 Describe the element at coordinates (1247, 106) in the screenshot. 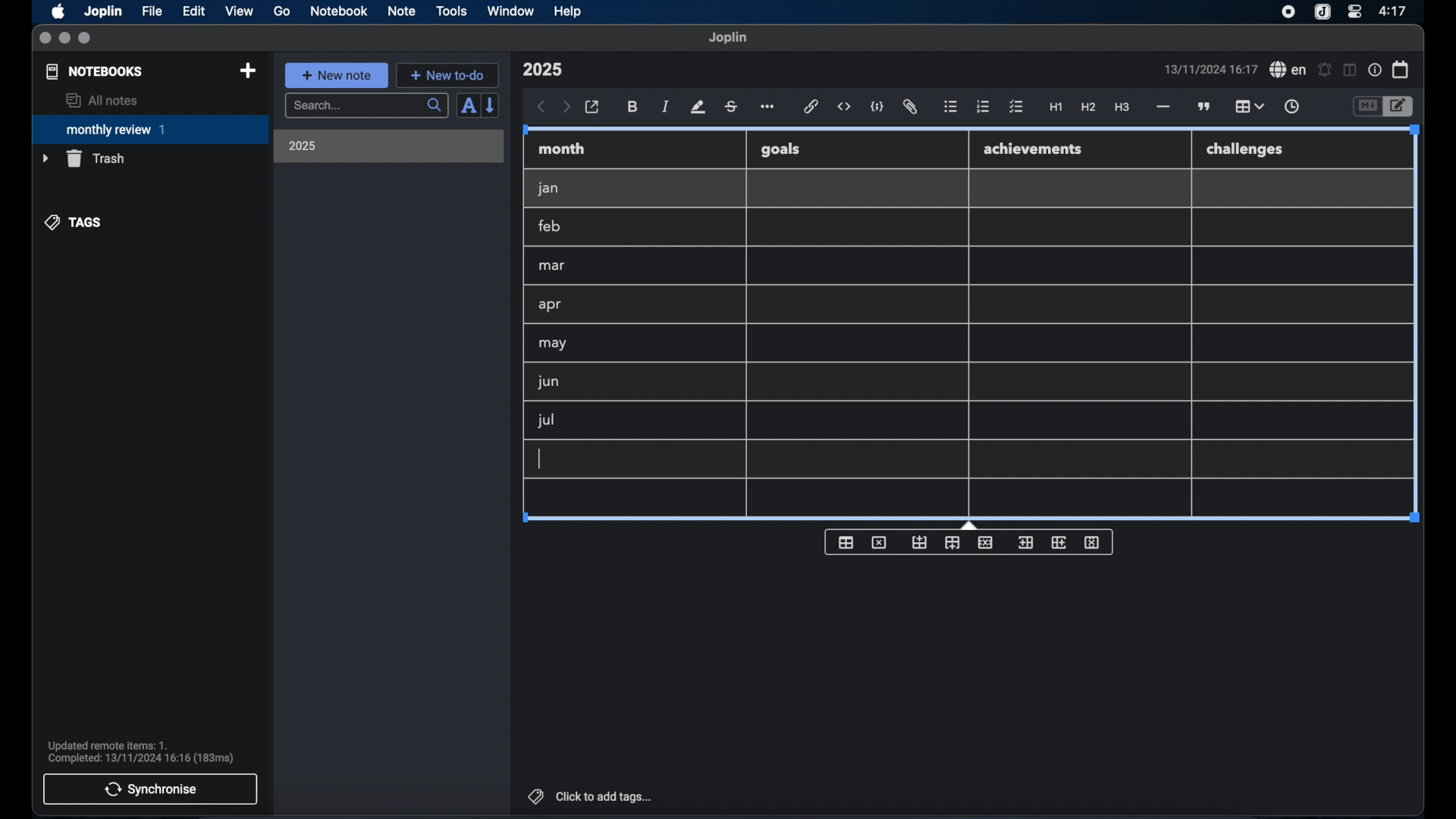

I see `table highlighted` at that location.